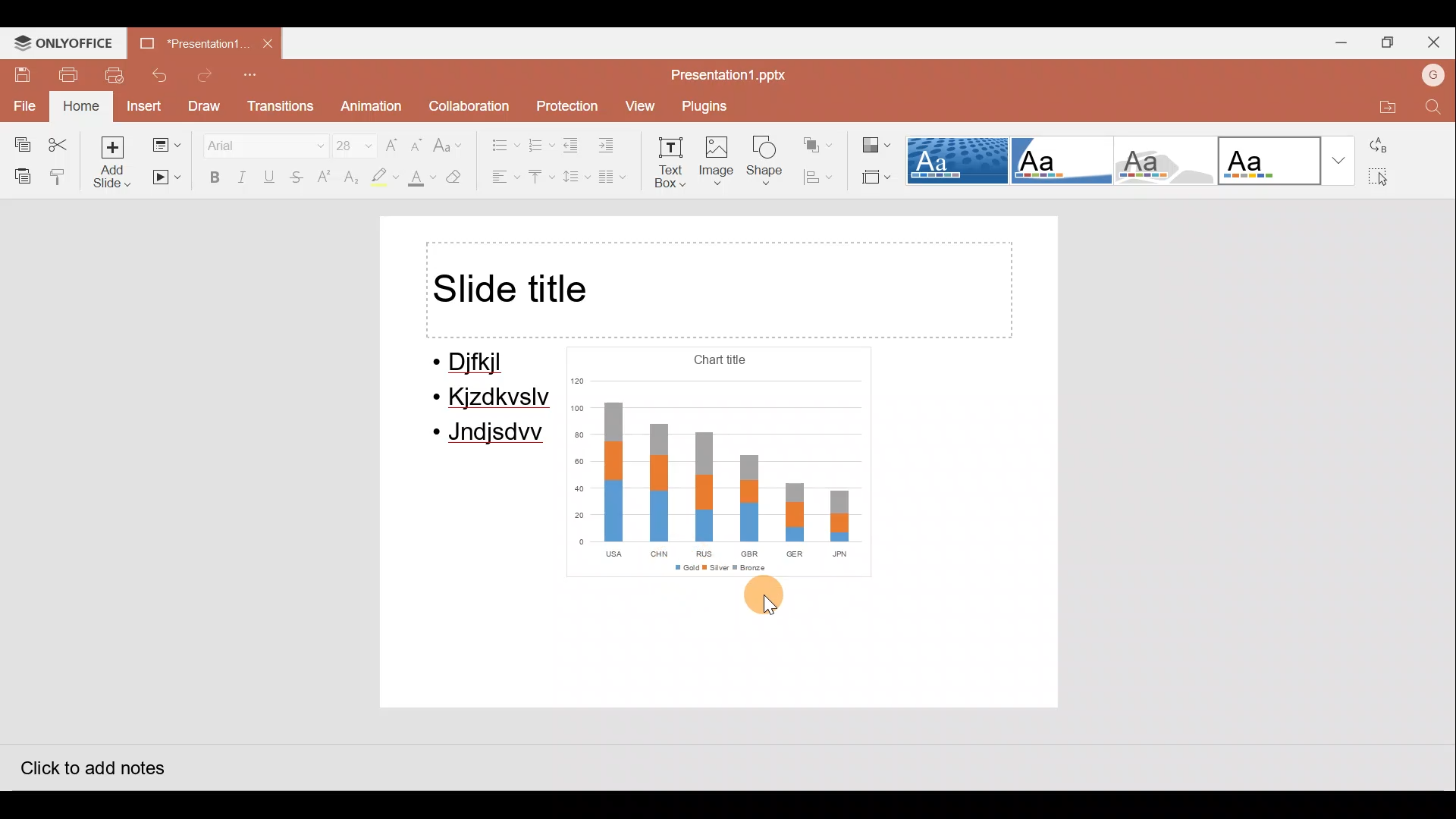 The image size is (1456, 819). What do you see at coordinates (1341, 161) in the screenshot?
I see `More theme` at bounding box center [1341, 161].